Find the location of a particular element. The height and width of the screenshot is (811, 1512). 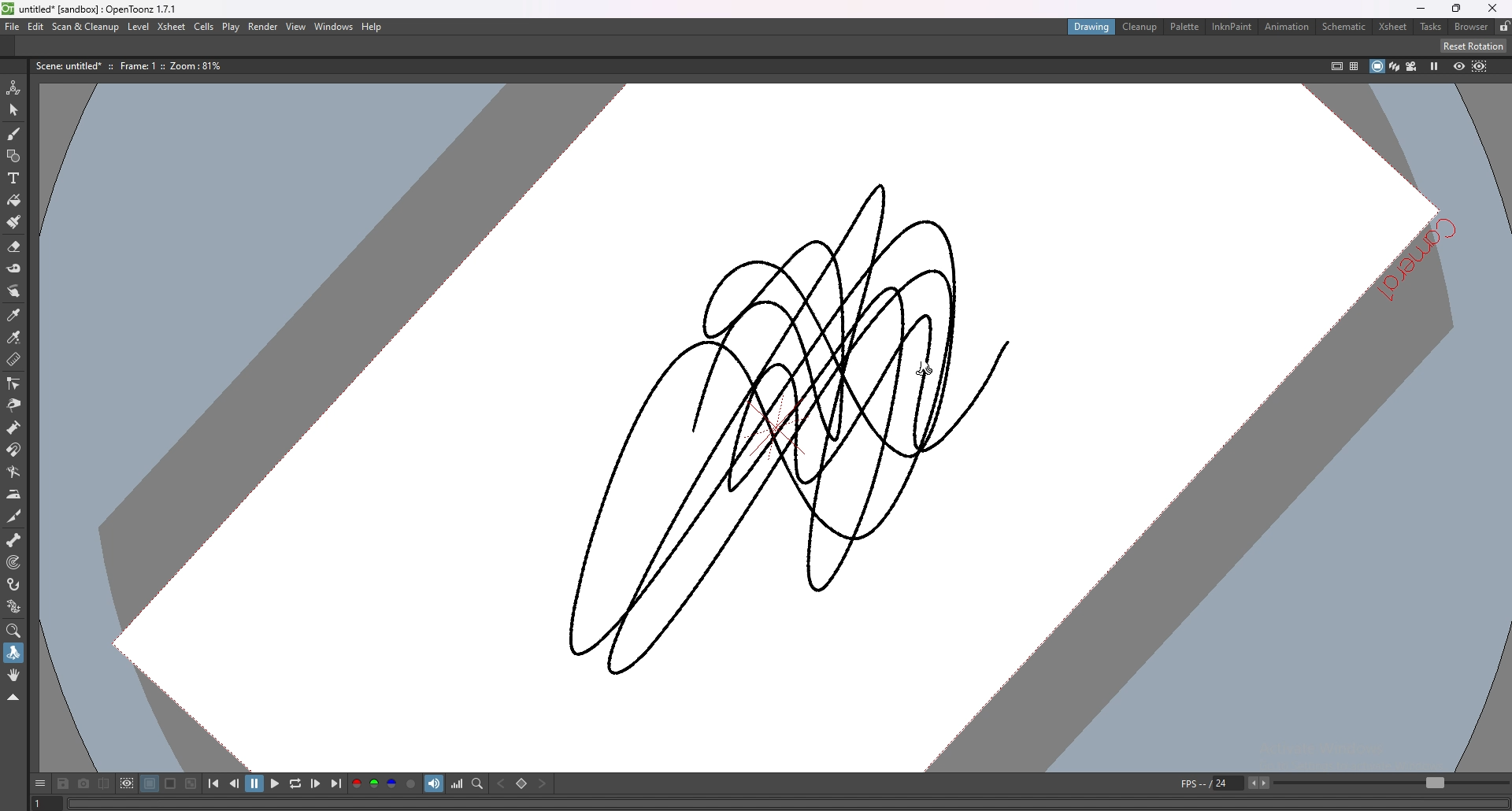

options is located at coordinates (39, 784).